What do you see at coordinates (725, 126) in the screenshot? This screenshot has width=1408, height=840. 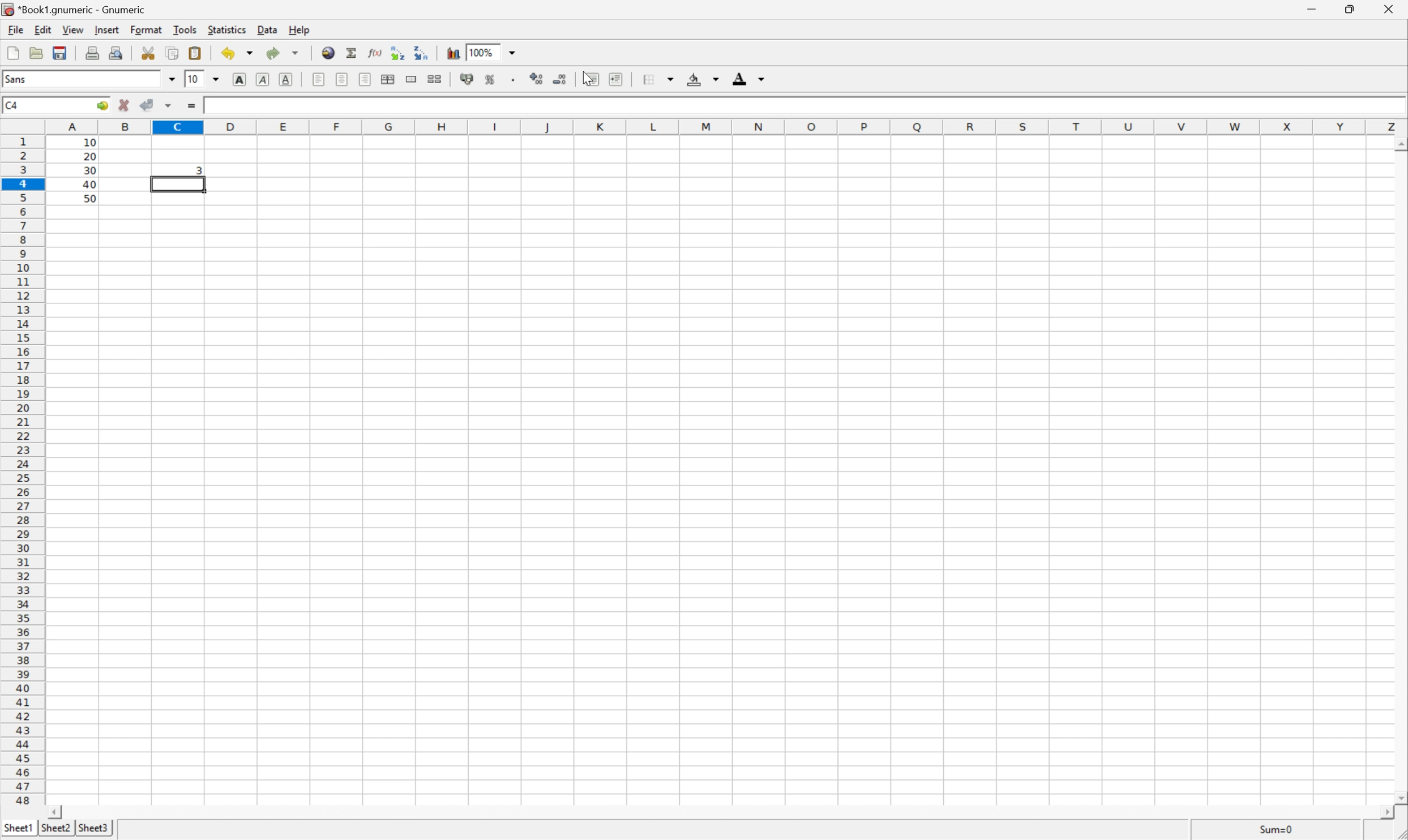 I see `Column names` at bounding box center [725, 126].